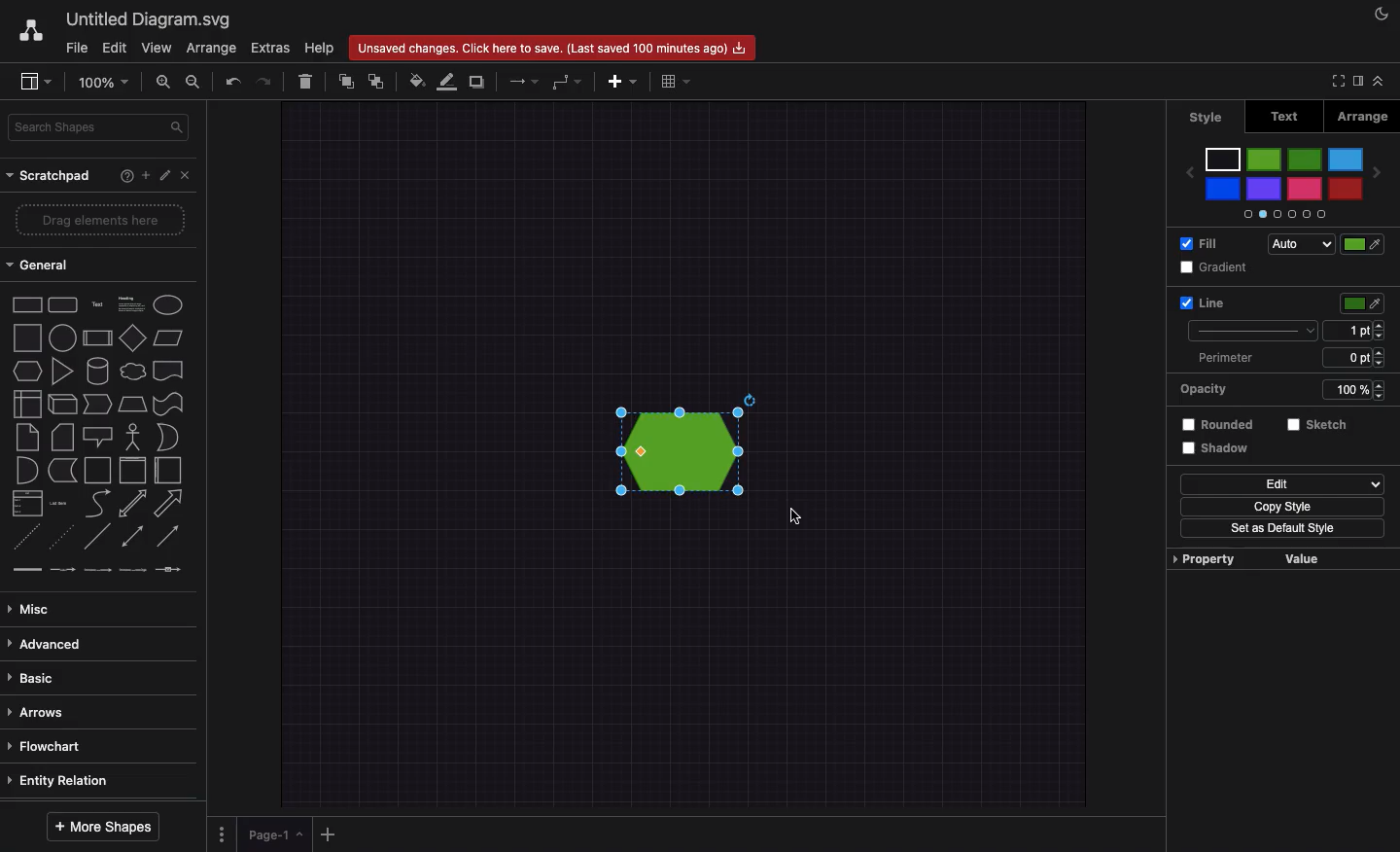 The height and width of the screenshot is (852, 1400). I want to click on Copy style, so click(1285, 507).